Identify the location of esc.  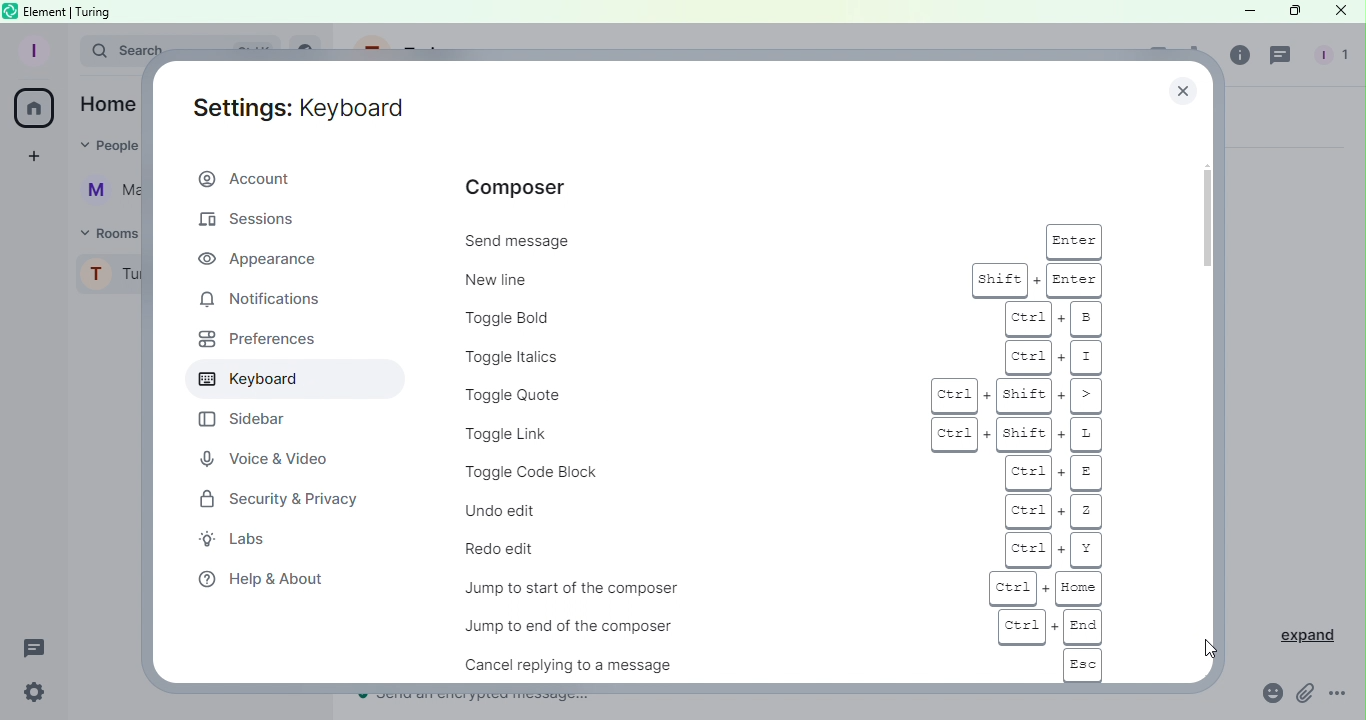
(1083, 666).